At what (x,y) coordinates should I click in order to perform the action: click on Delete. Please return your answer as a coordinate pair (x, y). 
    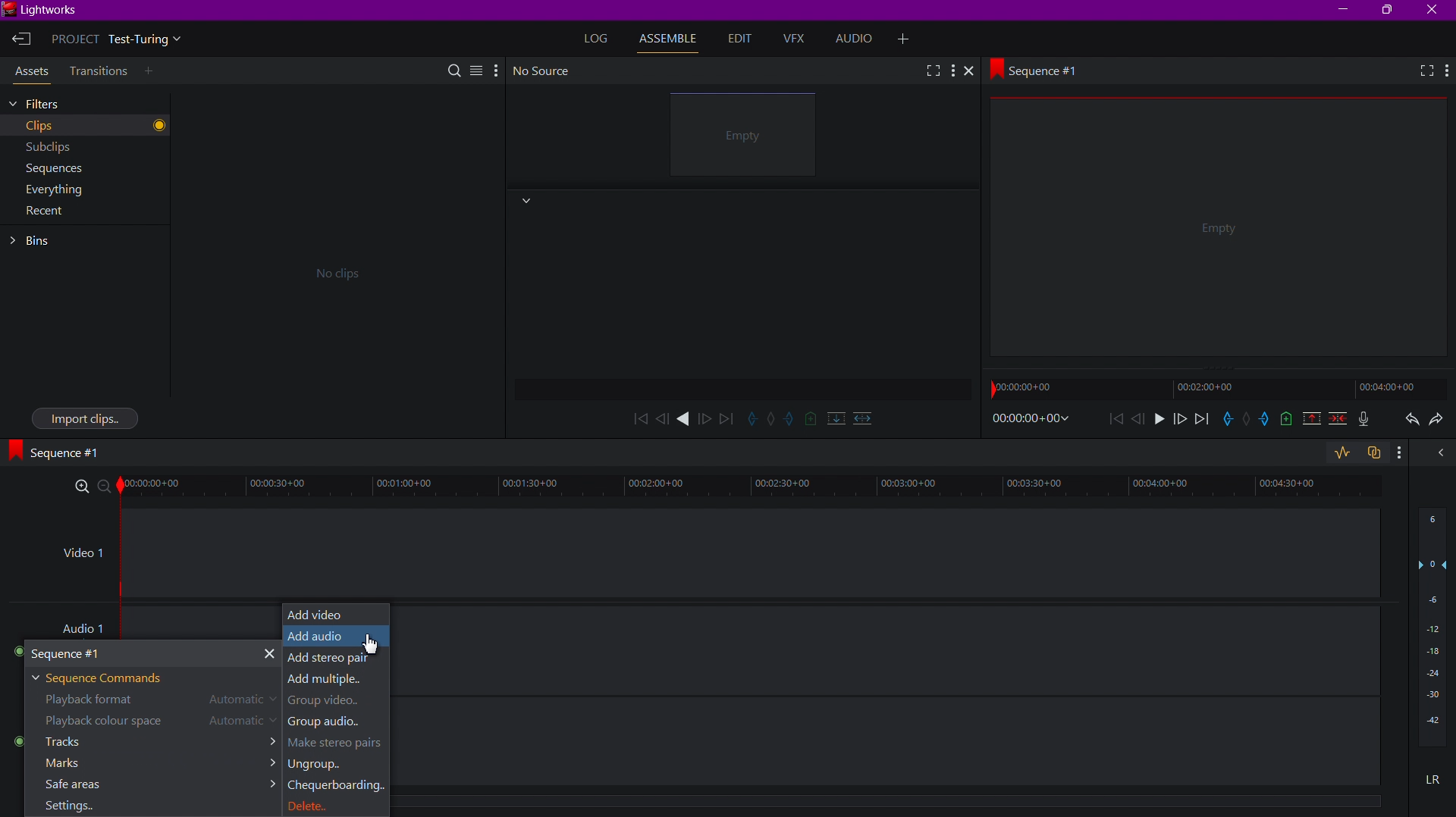
    Looking at the image, I should click on (325, 804).